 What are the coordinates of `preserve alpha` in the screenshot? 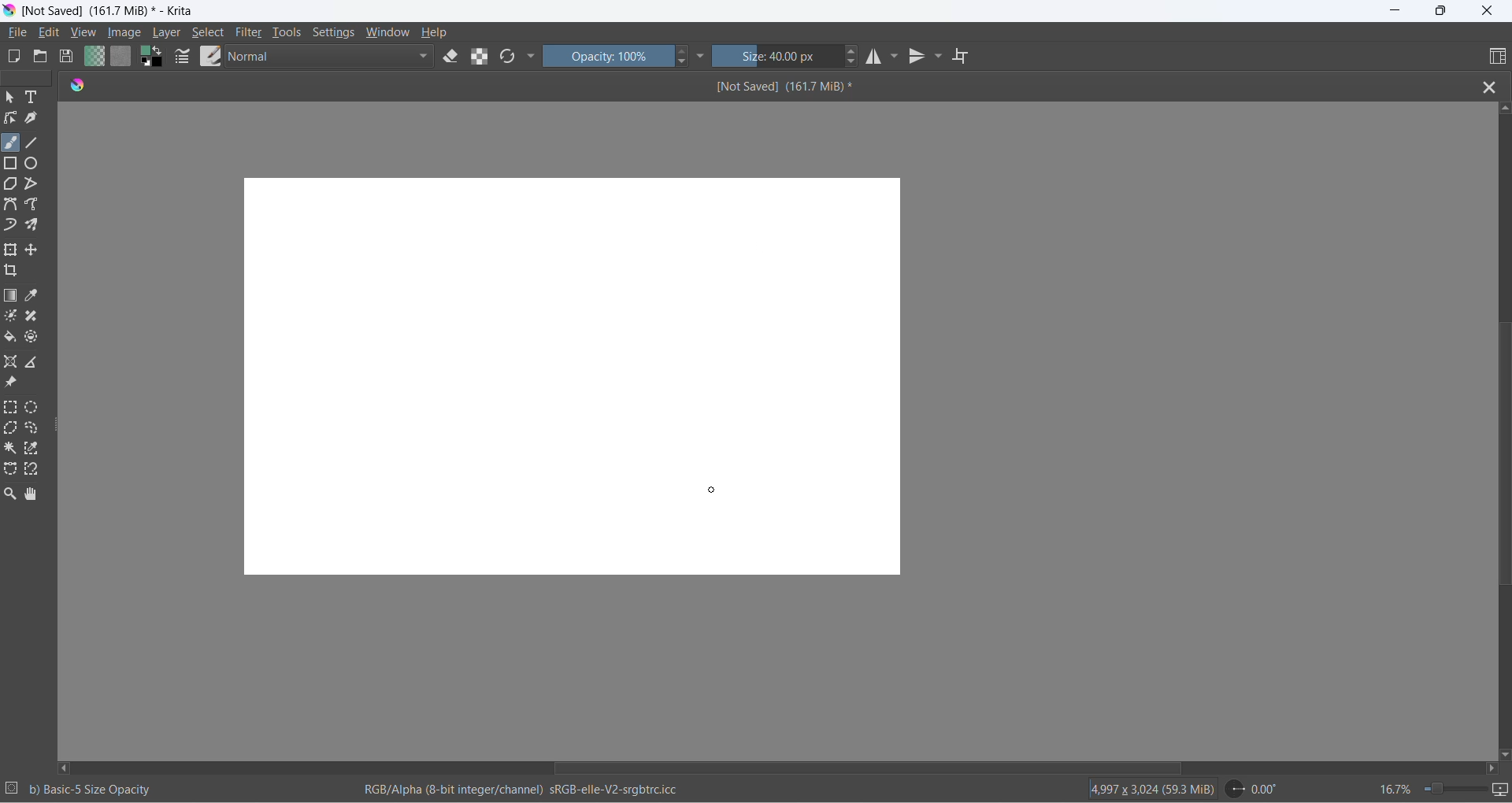 It's located at (483, 56).